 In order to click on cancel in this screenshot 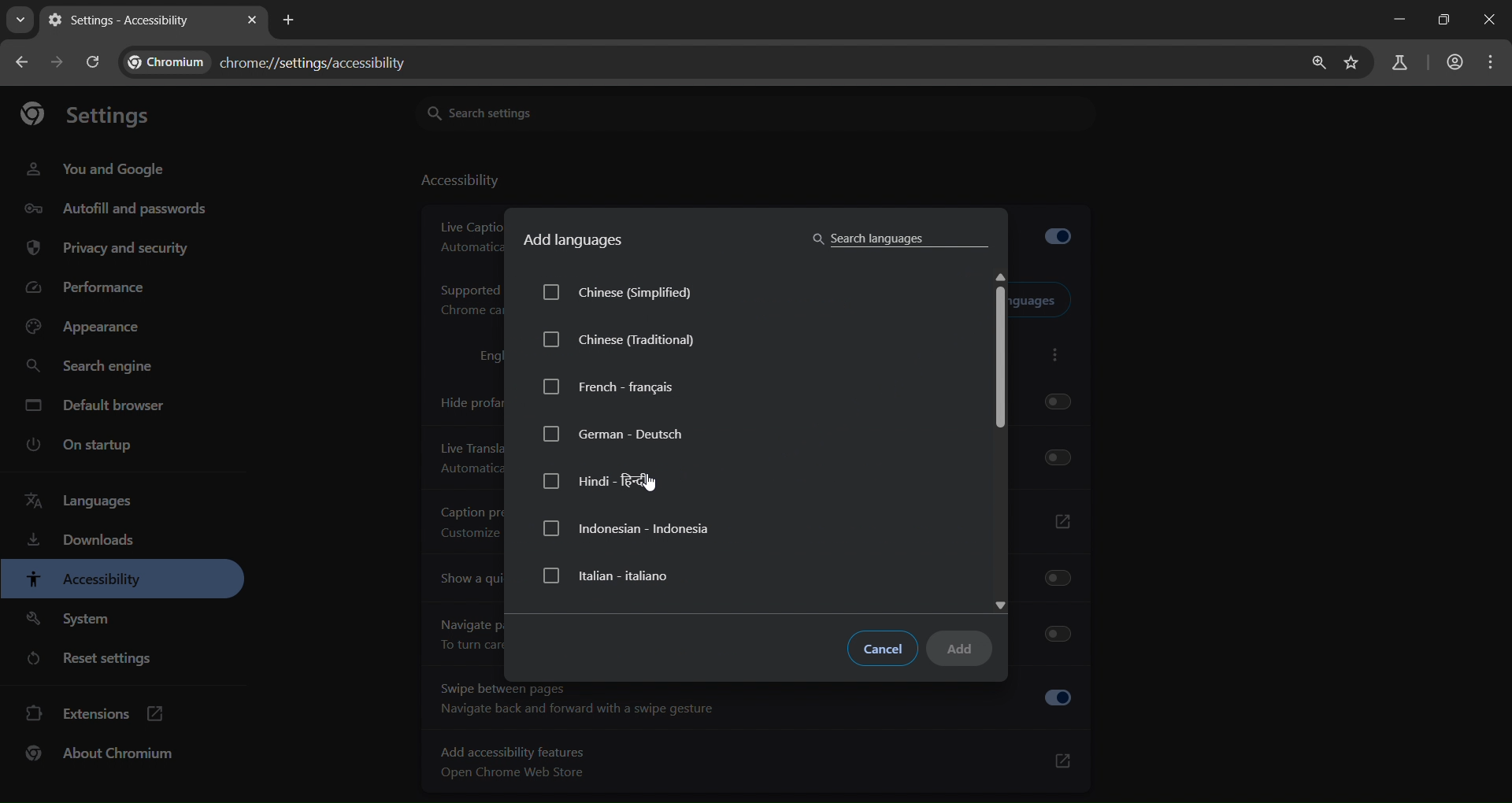, I will do `click(885, 649)`.